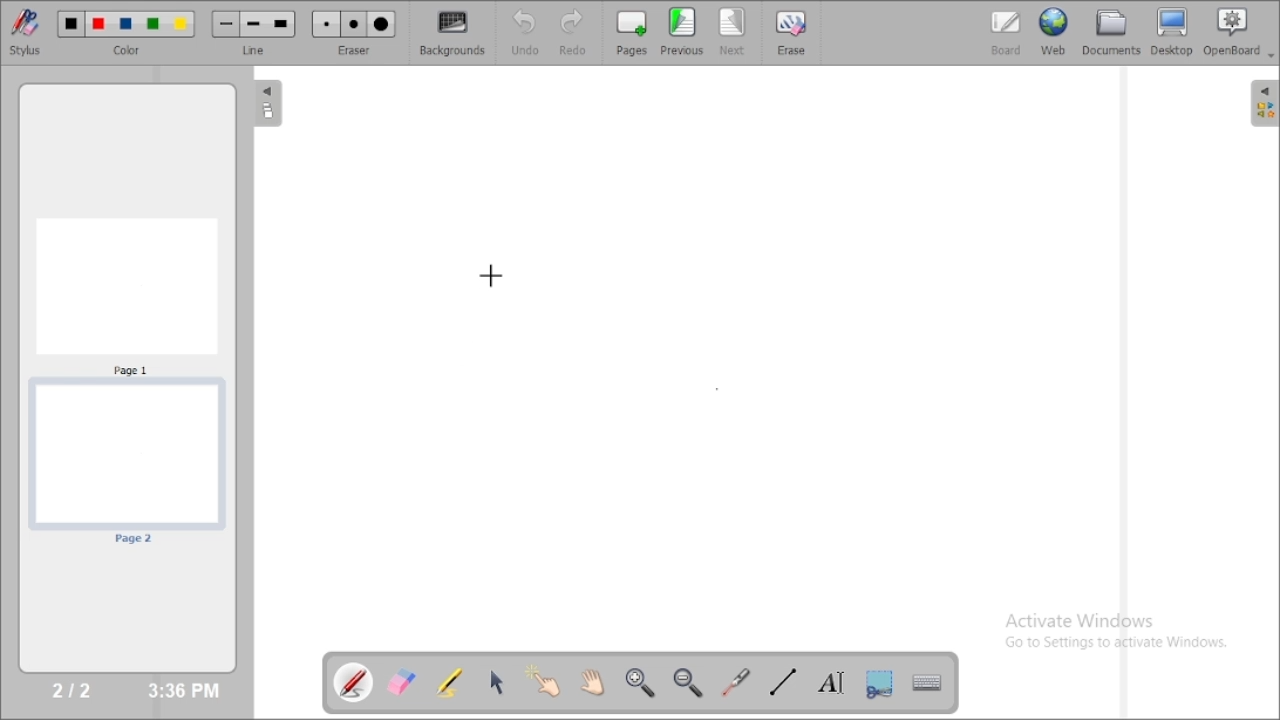 This screenshot has width=1280, height=720. What do you see at coordinates (690, 683) in the screenshot?
I see `zoom out` at bounding box center [690, 683].